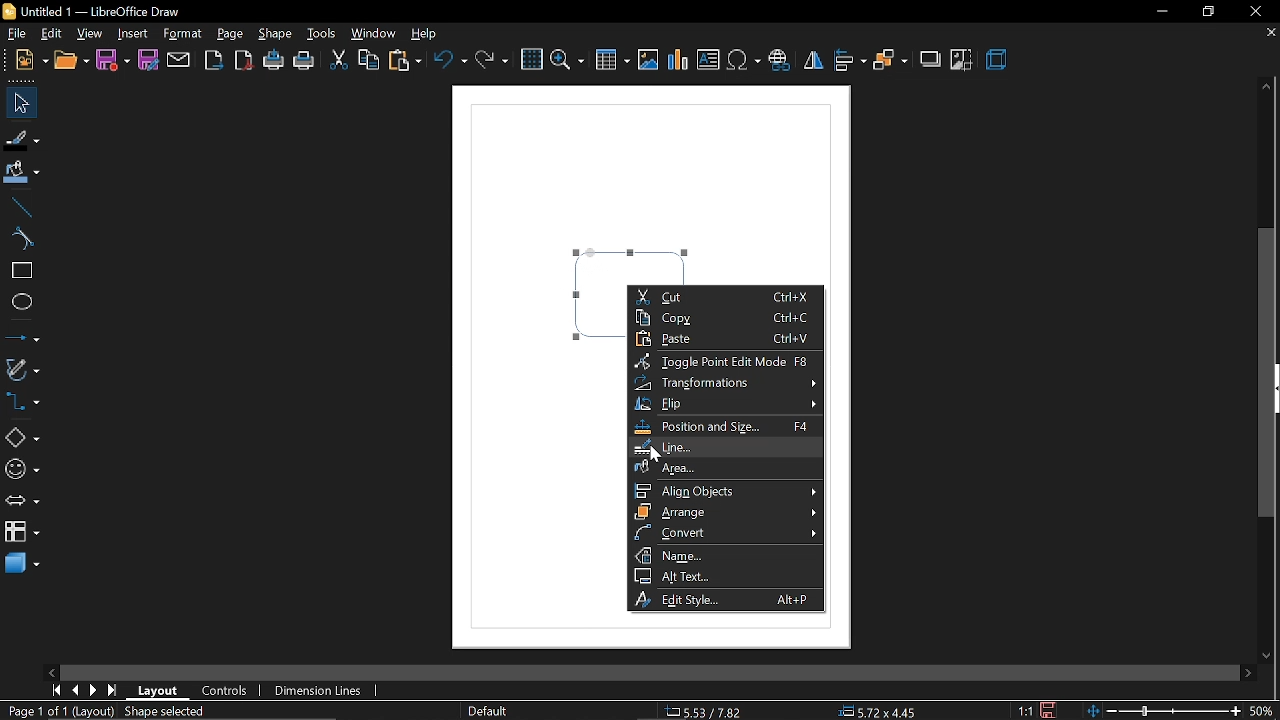 Image resolution: width=1280 pixels, height=720 pixels. Describe the element at coordinates (19, 531) in the screenshot. I see `flowchart` at that location.